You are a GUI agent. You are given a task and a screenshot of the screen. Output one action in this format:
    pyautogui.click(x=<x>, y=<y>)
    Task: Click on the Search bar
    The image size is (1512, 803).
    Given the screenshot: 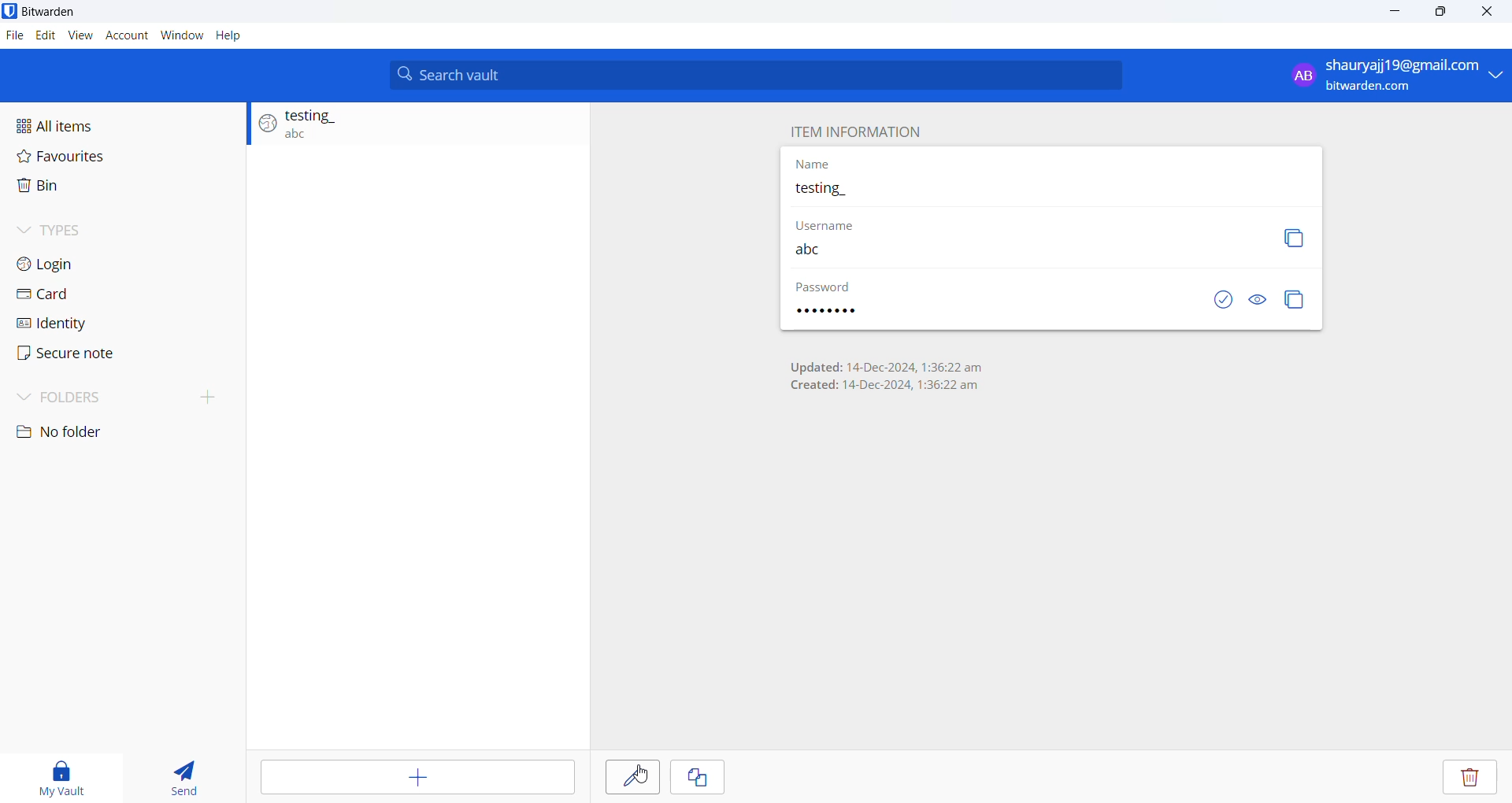 What is the action you would take?
    pyautogui.click(x=757, y=76)
    